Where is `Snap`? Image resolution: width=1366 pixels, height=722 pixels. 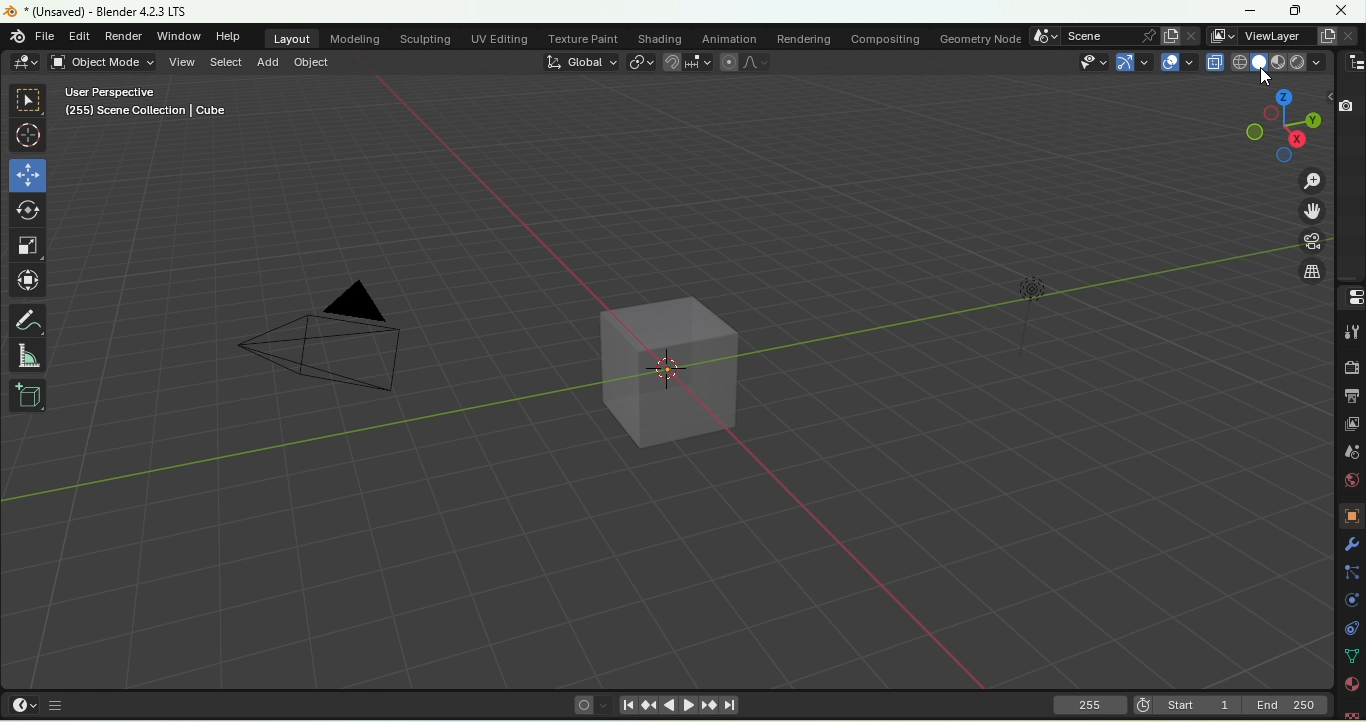
Snap is located at coordinates (672, 63).